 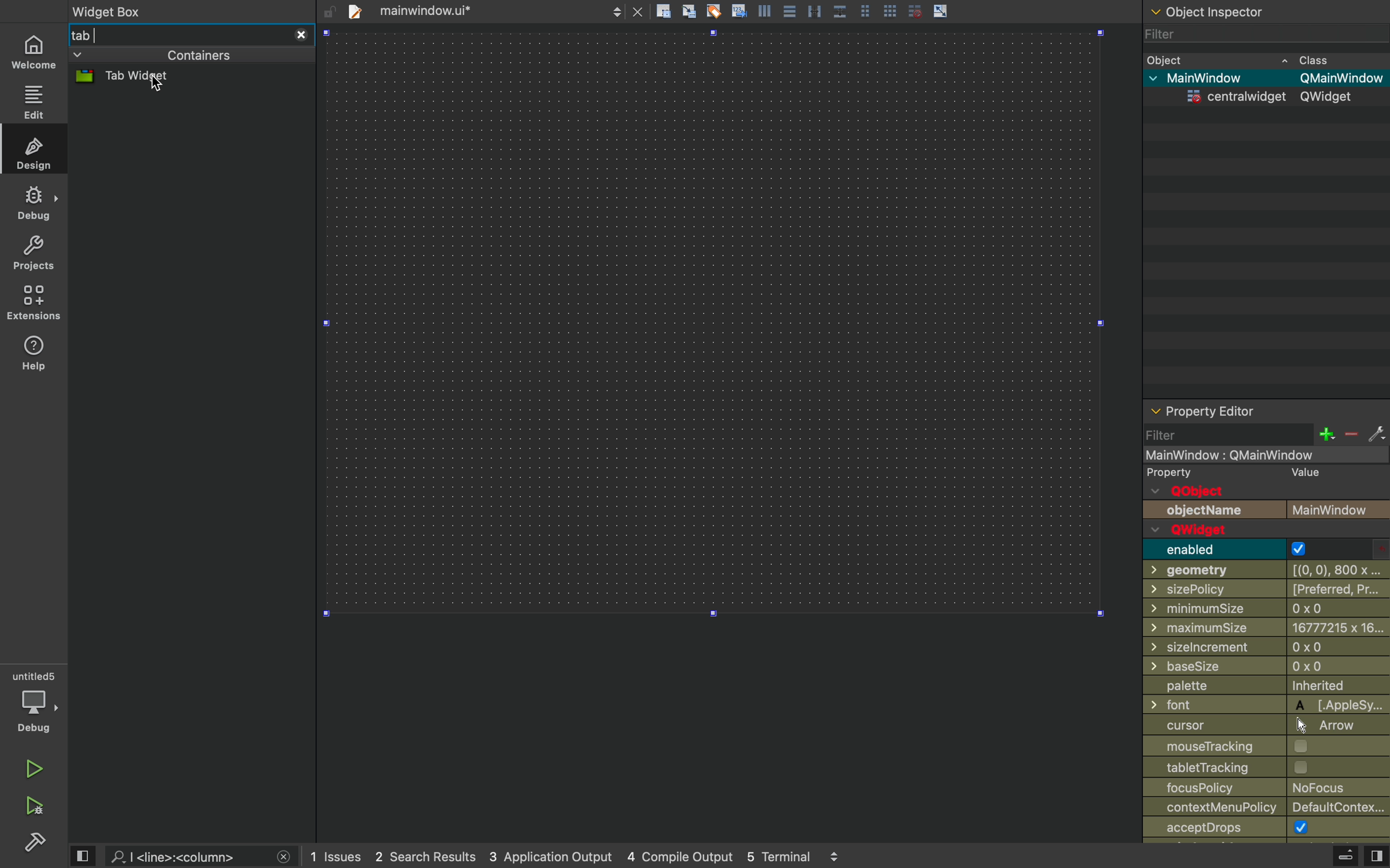 What do you see at coordinates (1262, 10) in the screenshot?
I see `object inspector` at bounding box center [1262, 10].